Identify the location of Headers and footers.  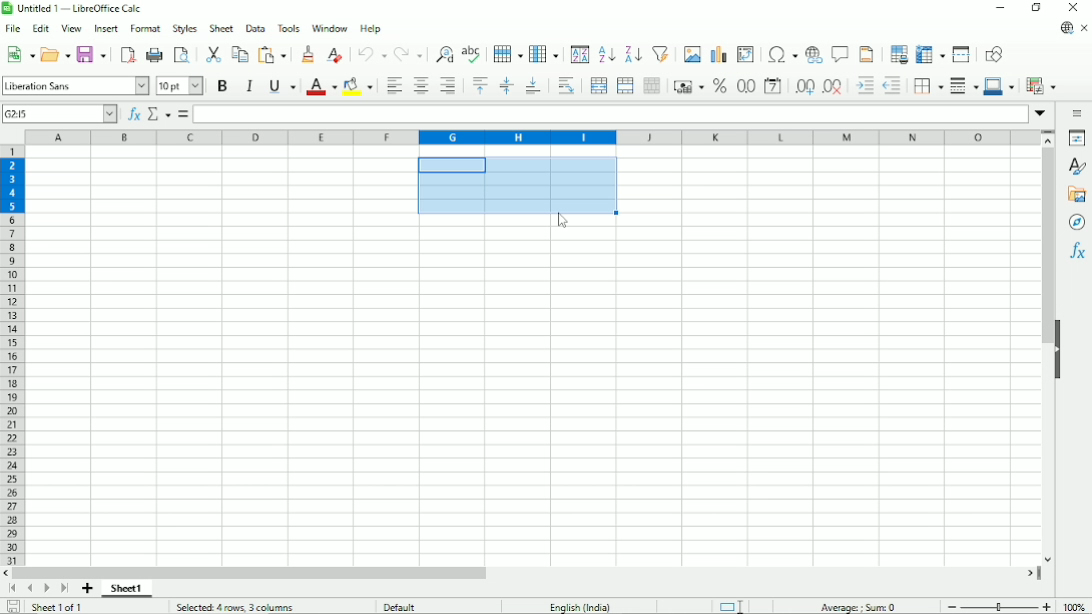
(866, 53).